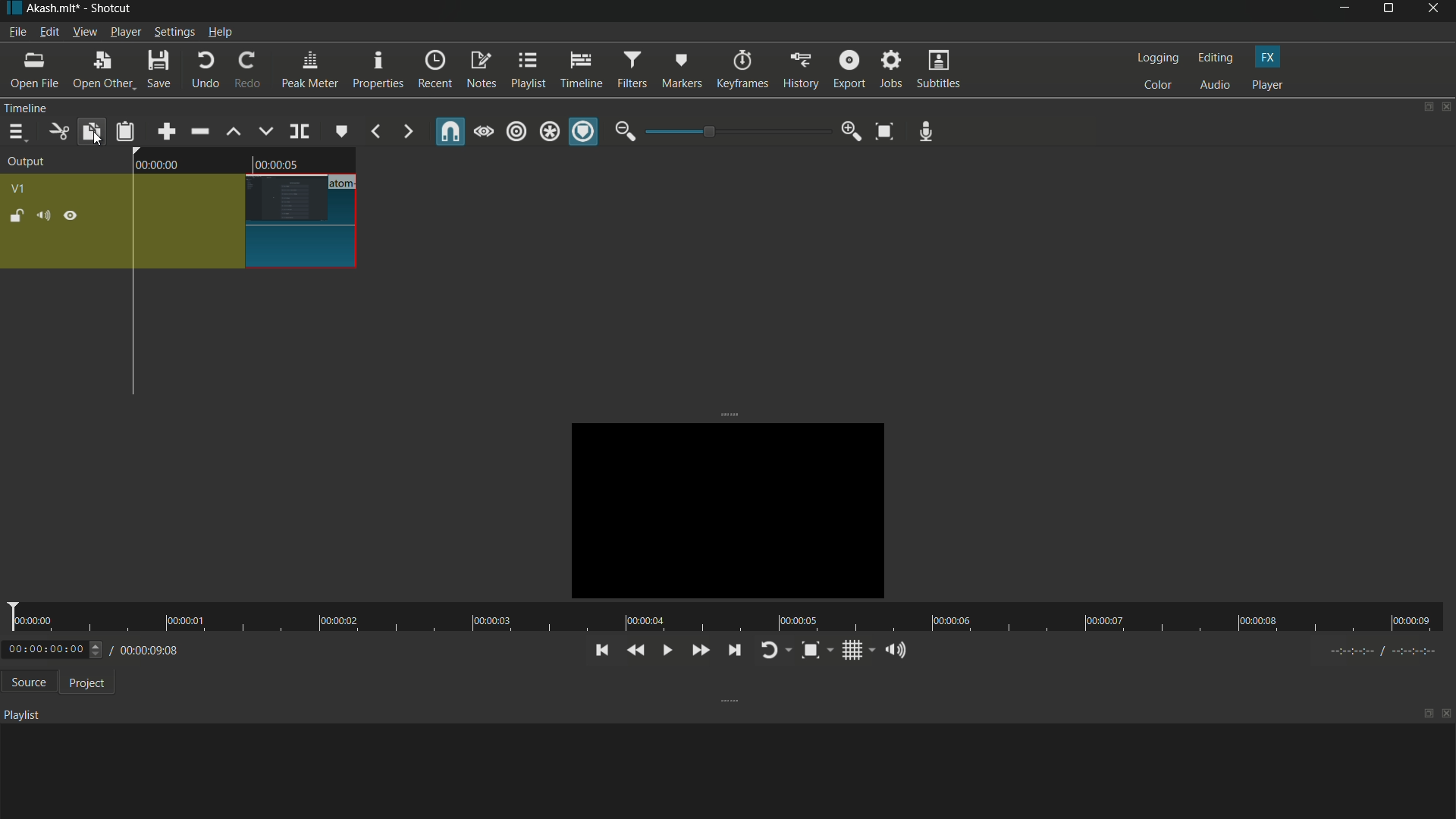 The width and height of the screenshot is (1456, 819). I want to click on v1, so click(17, 190).